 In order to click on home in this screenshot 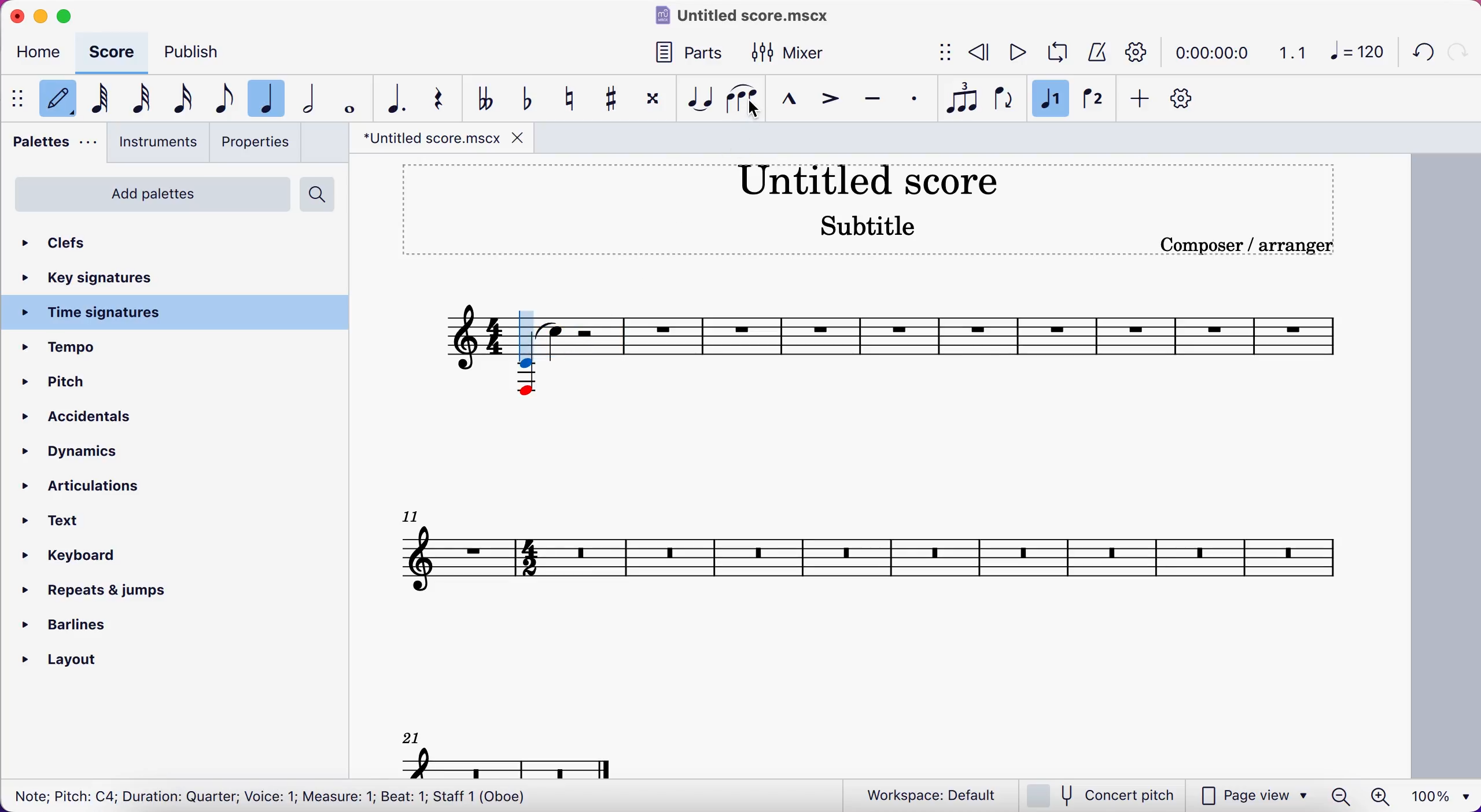, I will do `click(42, 55)`.